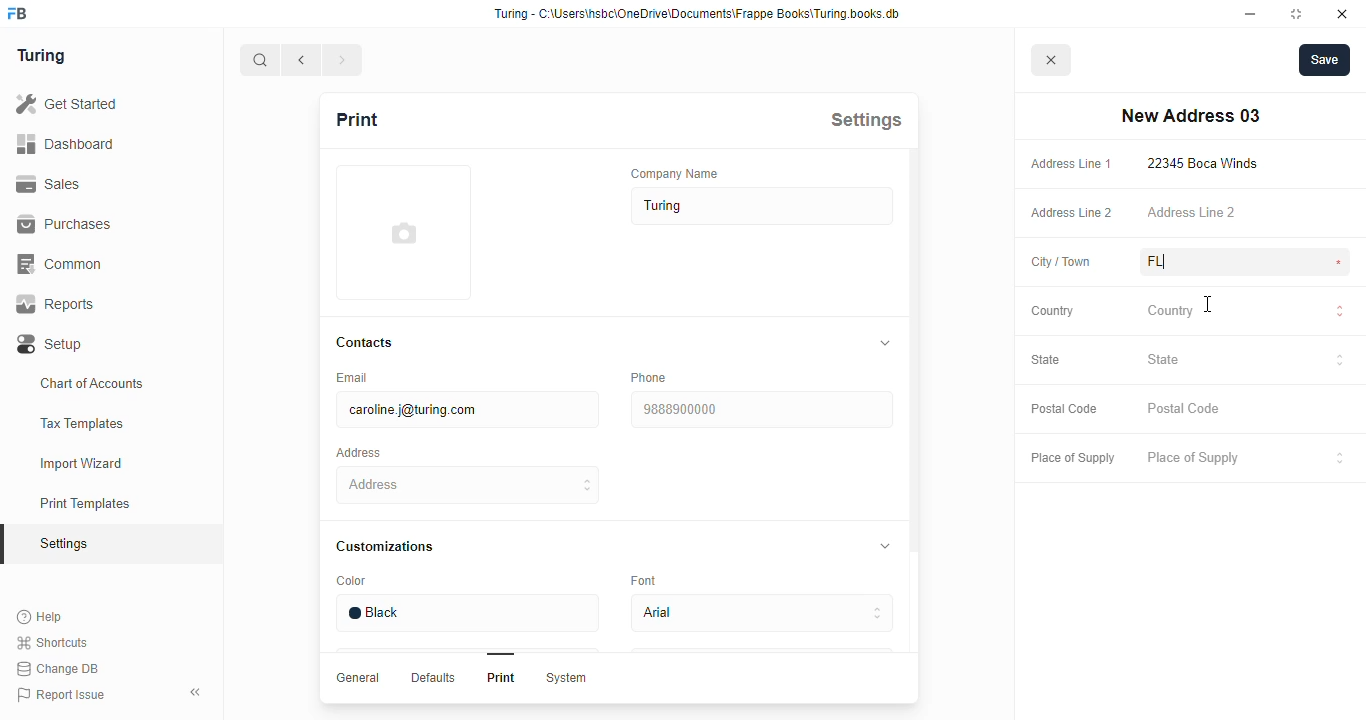  What do you see at coordinates (356, 119) in the screenshot?
I see `print` at bounding box center [356, 119].